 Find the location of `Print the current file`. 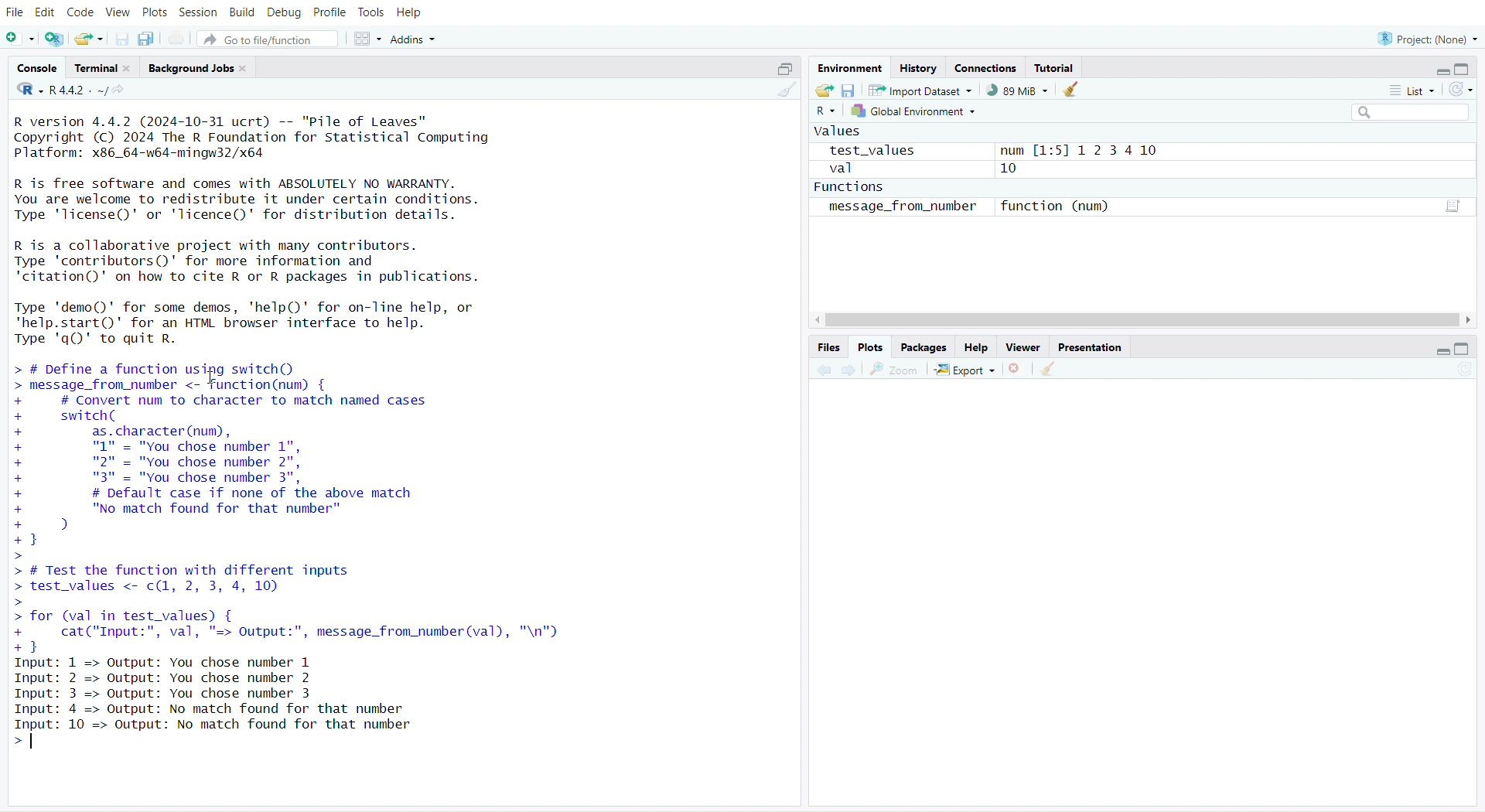

Print the current file is located at coordinates (178, 37).